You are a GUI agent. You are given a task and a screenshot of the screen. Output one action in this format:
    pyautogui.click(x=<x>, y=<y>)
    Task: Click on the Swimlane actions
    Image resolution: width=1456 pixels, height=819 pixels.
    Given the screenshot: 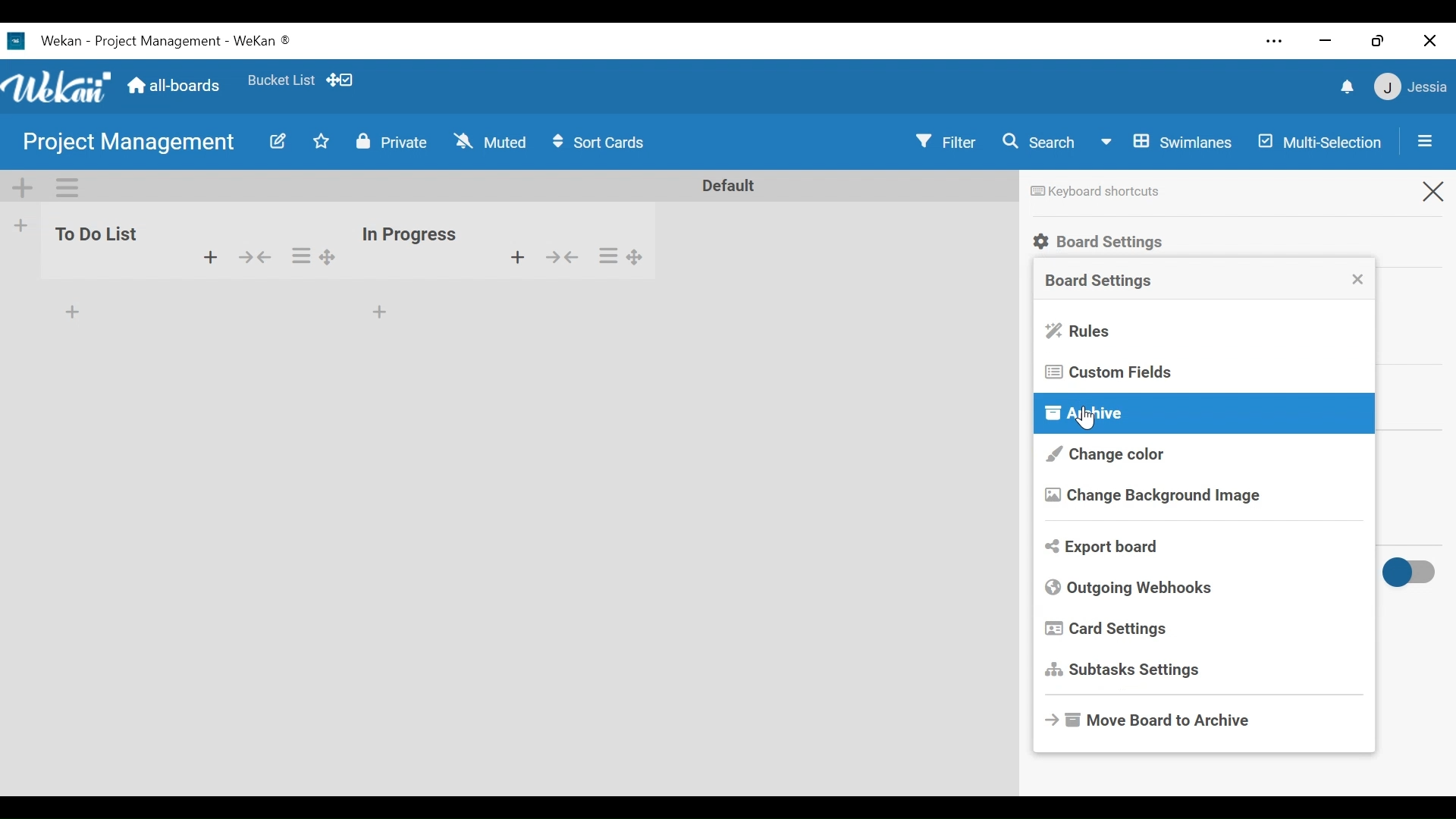 What is the action you would take?
    pyautogui.click(x=67, y=188)
    